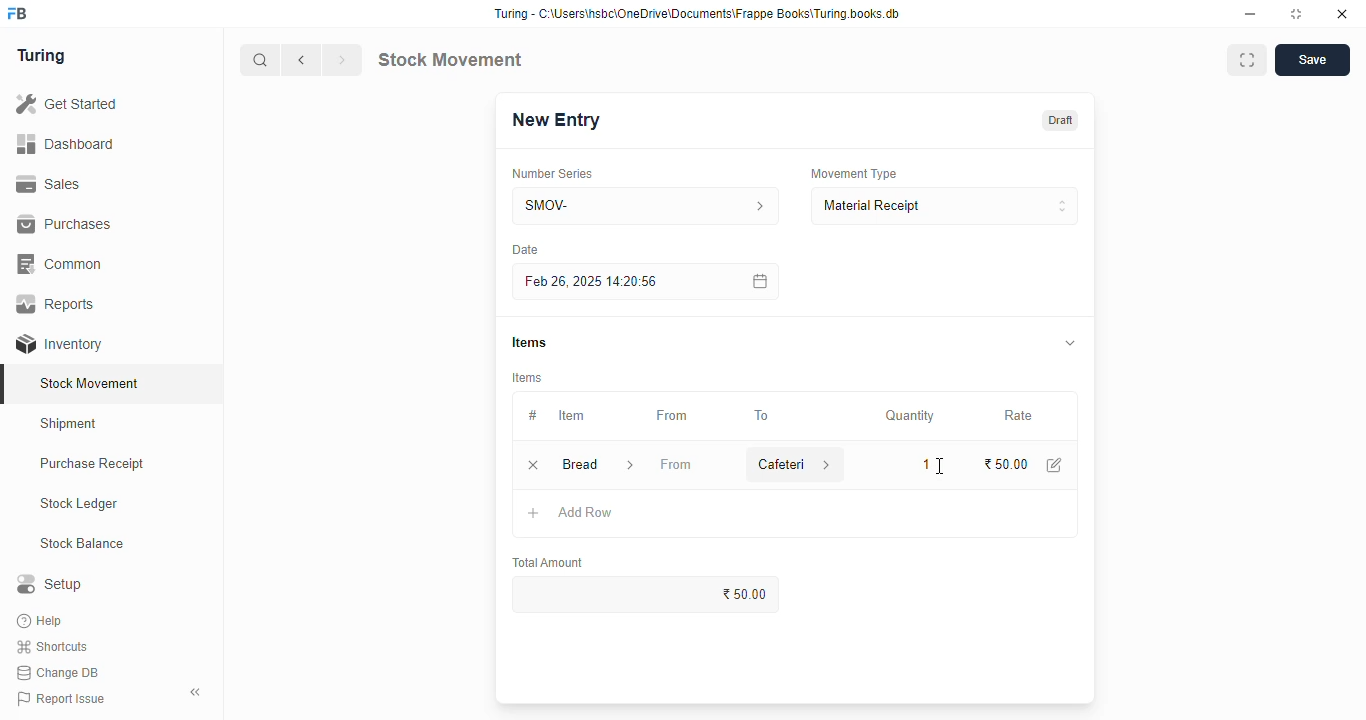 The width and height of the screenshot is (1366, 720). Describe the element at coordinates (595, 282) in the screenshot. I see `feb 26, 2025 14:20:56` at that location.